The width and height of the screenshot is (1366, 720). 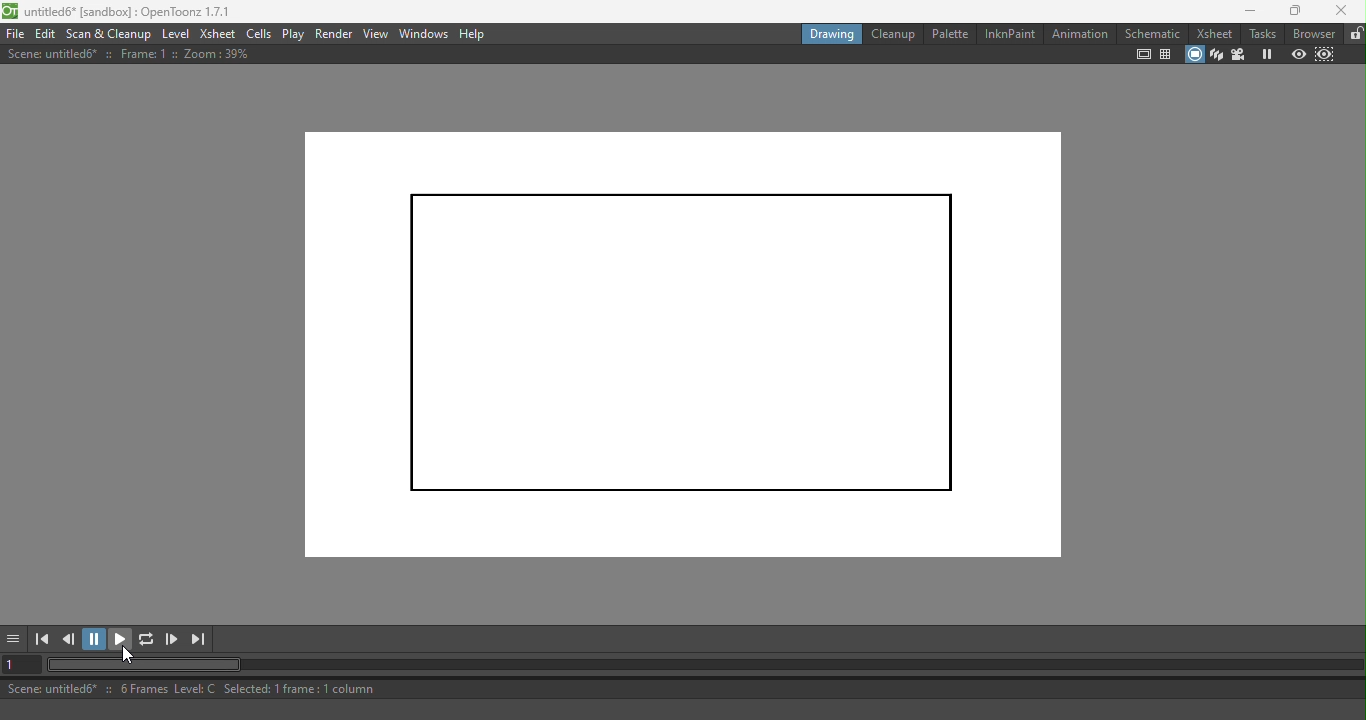 What do you see at coordinates (701, 666) in the screenshot?
I see `Horizontal scroll bar` at bounding box center [701, 666].